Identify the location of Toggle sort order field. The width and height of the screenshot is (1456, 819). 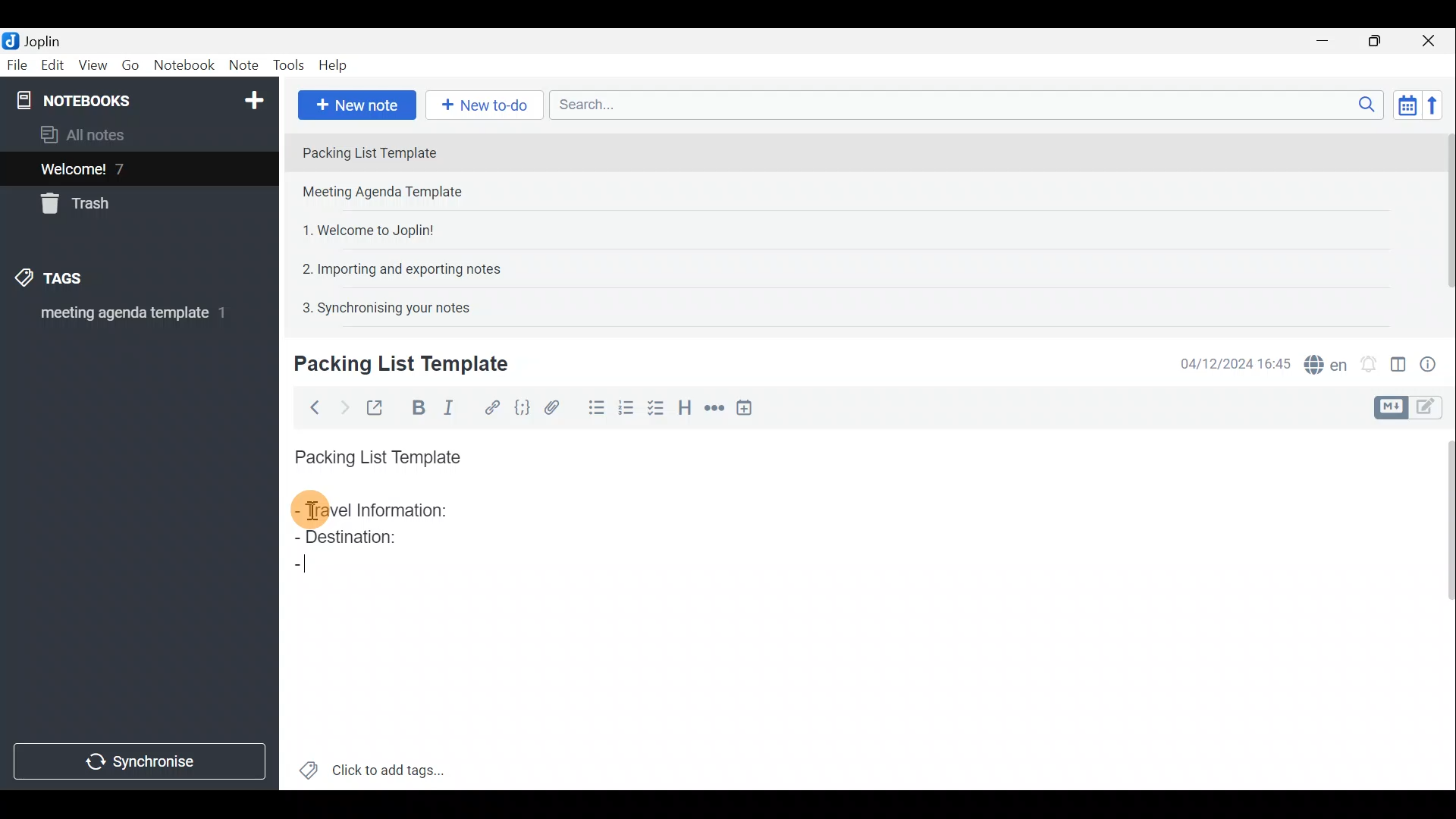
(1402, 105).